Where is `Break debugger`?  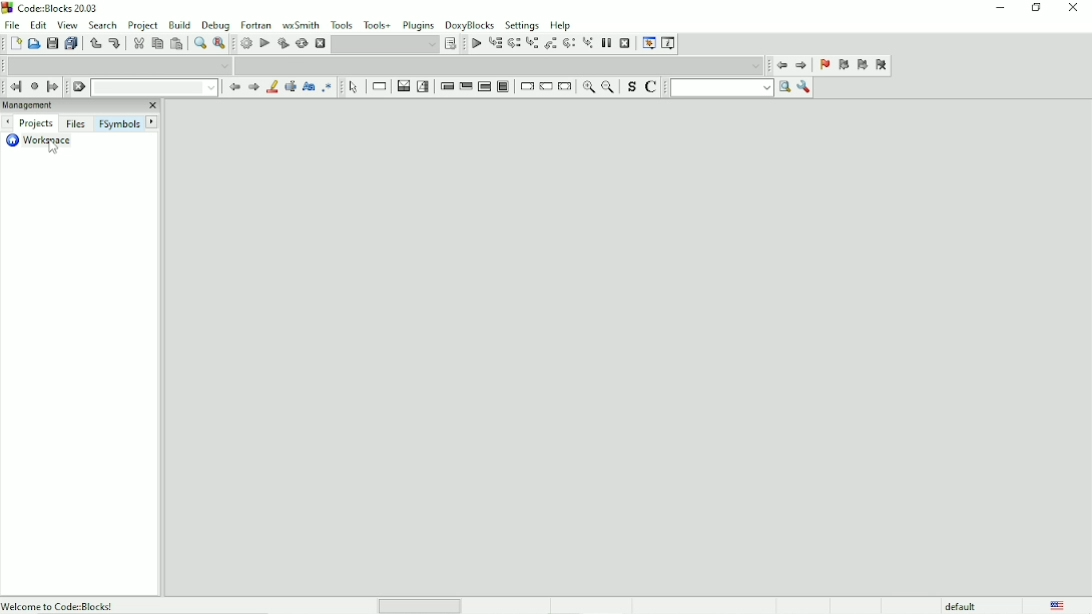 Break debugger is located at coordinates (607, 42).